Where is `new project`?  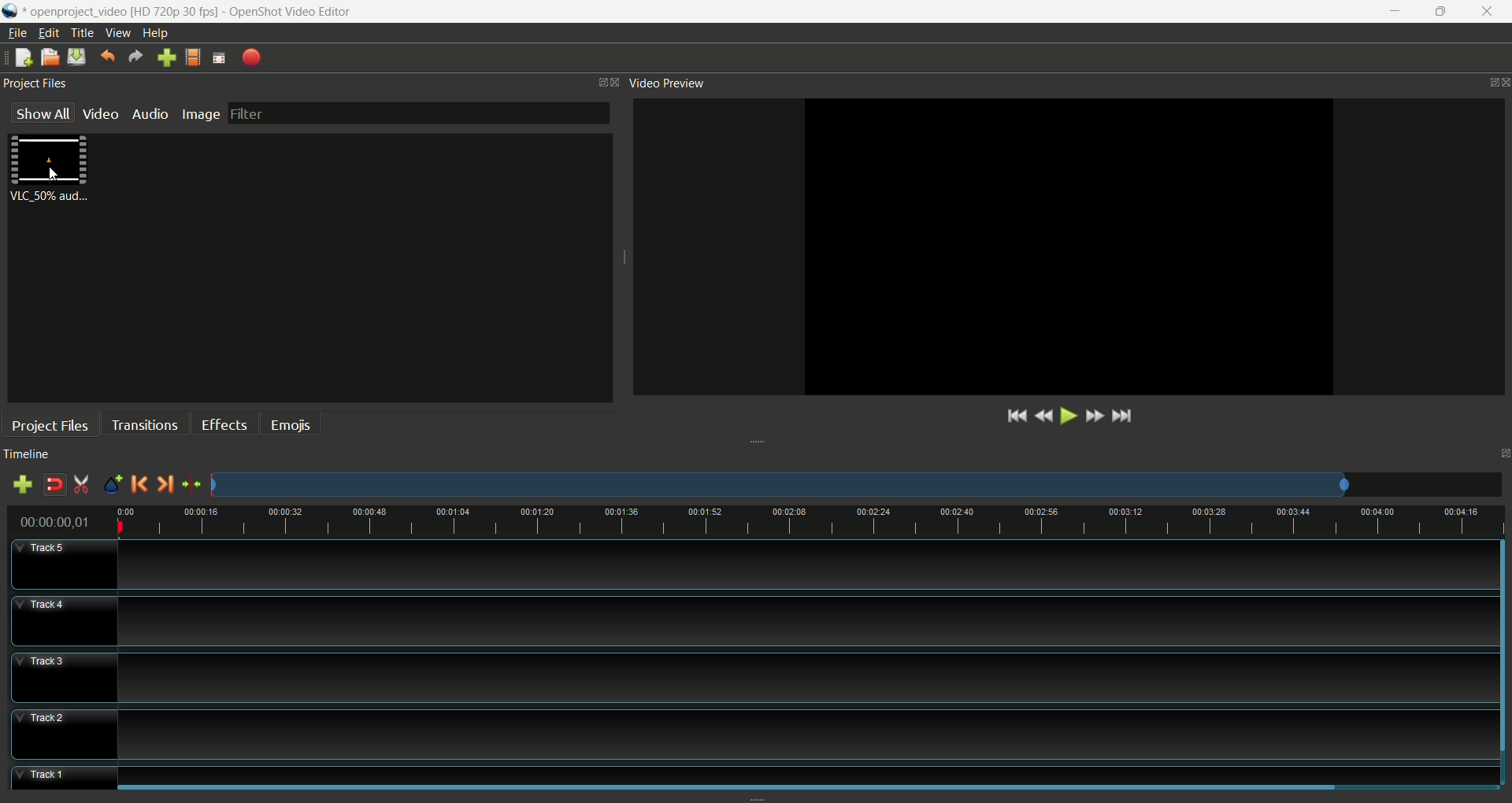
new project is located at coordinates (22, 57).